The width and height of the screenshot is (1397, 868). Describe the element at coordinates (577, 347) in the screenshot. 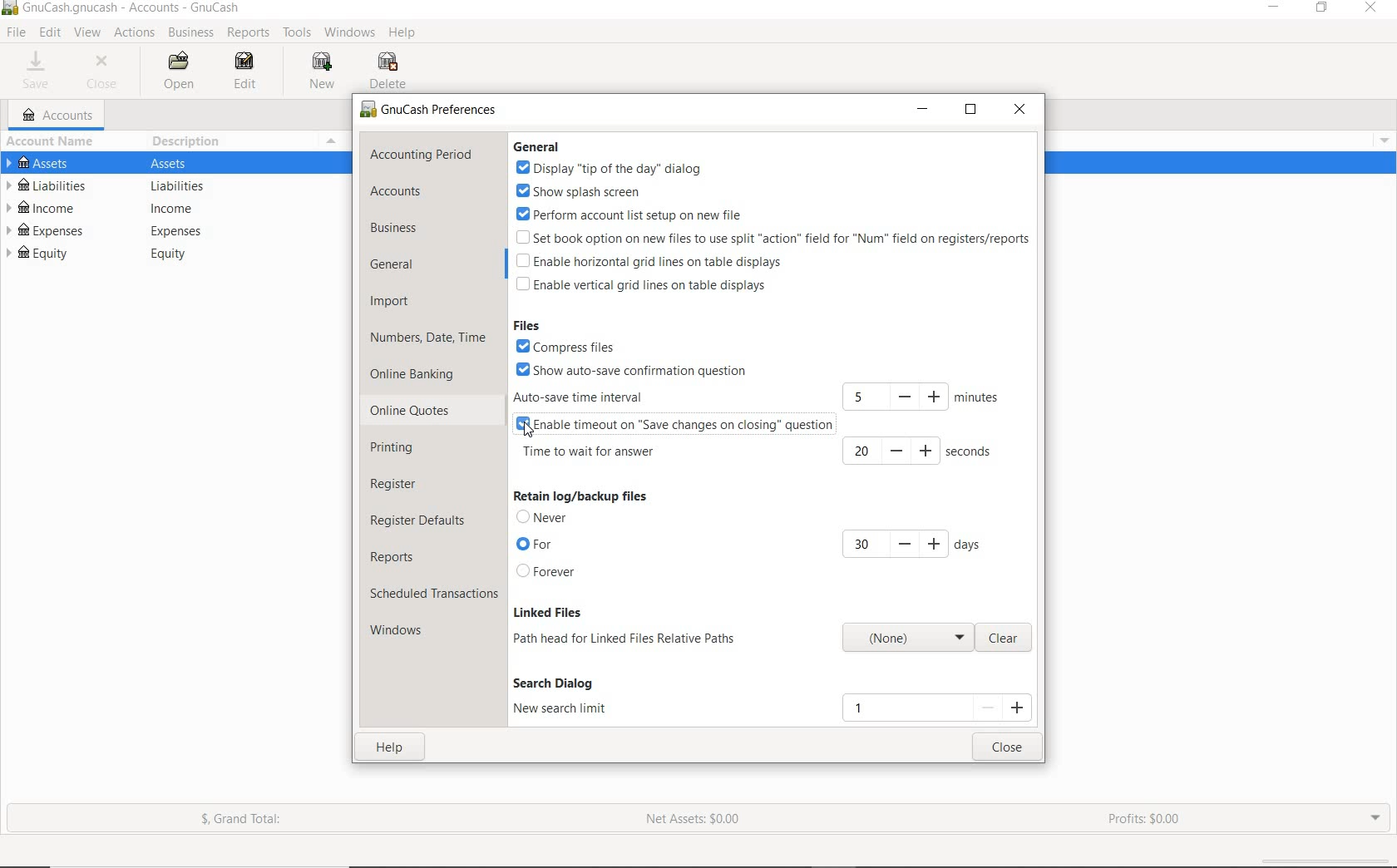

I see `compress files` at that location.